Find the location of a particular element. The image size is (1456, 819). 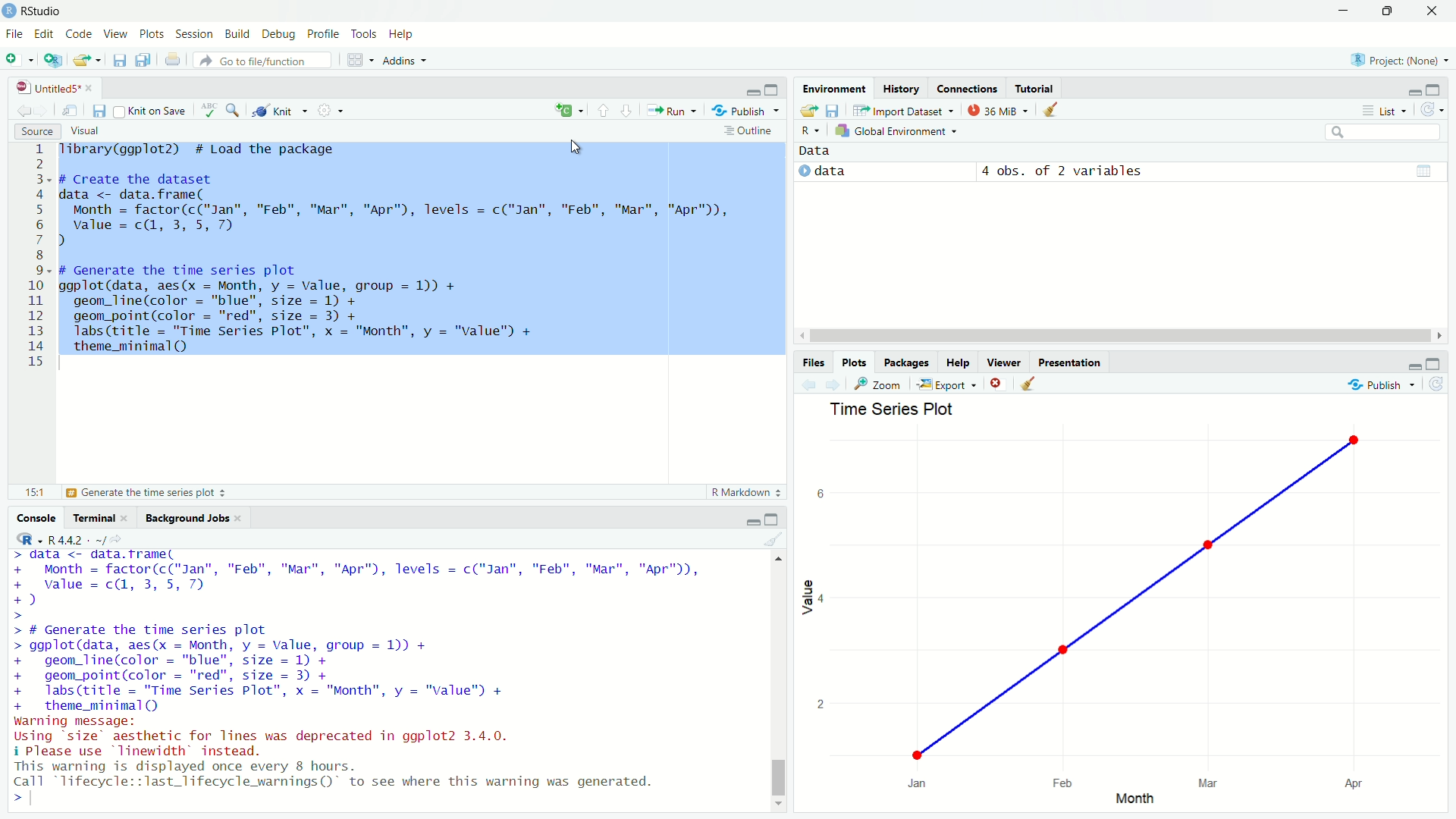

minimize is located at coordinates (1345, 10).